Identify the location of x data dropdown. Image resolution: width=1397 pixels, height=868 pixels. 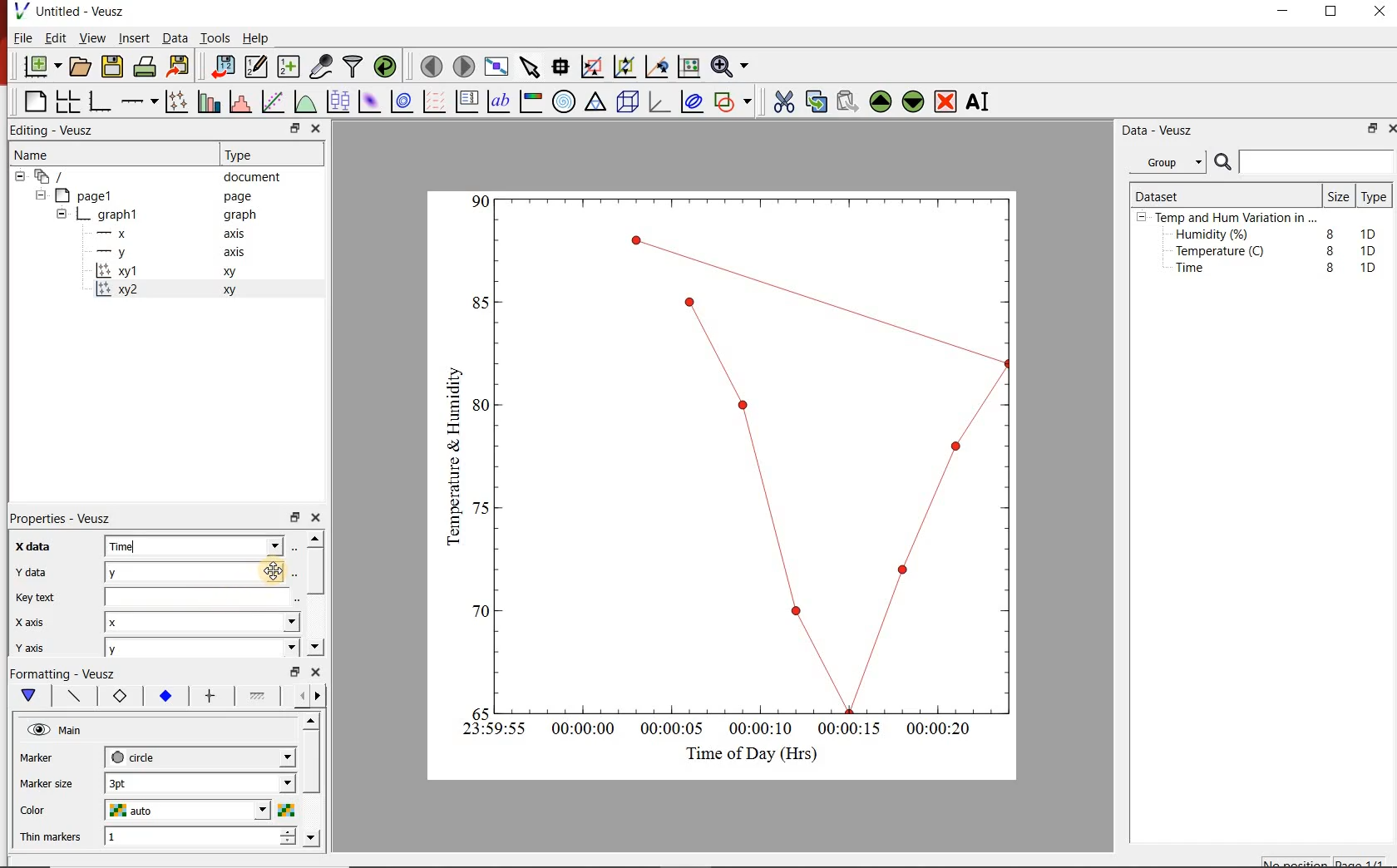
(250, 545).